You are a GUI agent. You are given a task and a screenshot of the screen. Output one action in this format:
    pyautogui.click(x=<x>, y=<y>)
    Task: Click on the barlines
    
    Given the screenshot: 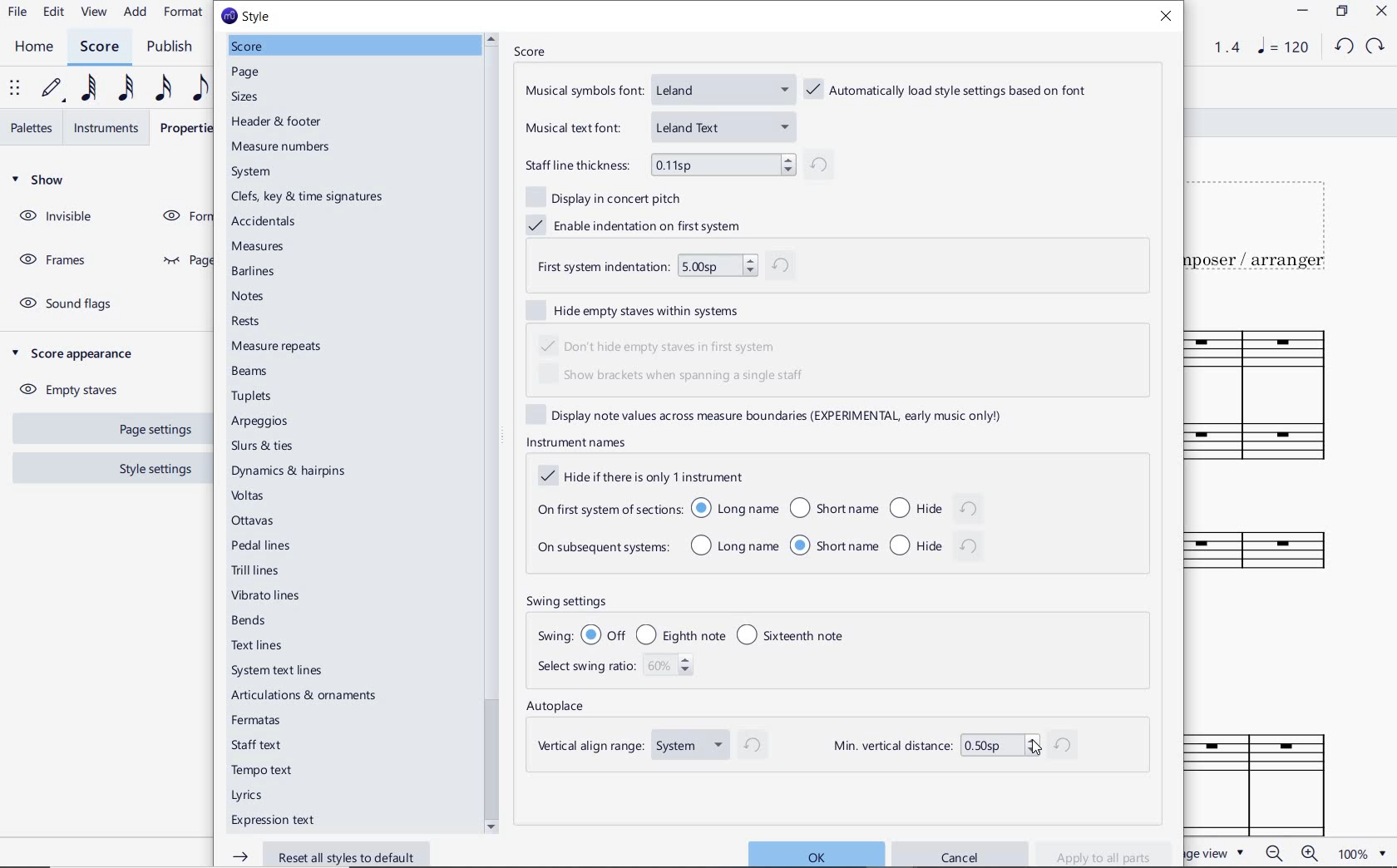 What is the action you would take?
    pyautogui.click(x=256, y=271)
    